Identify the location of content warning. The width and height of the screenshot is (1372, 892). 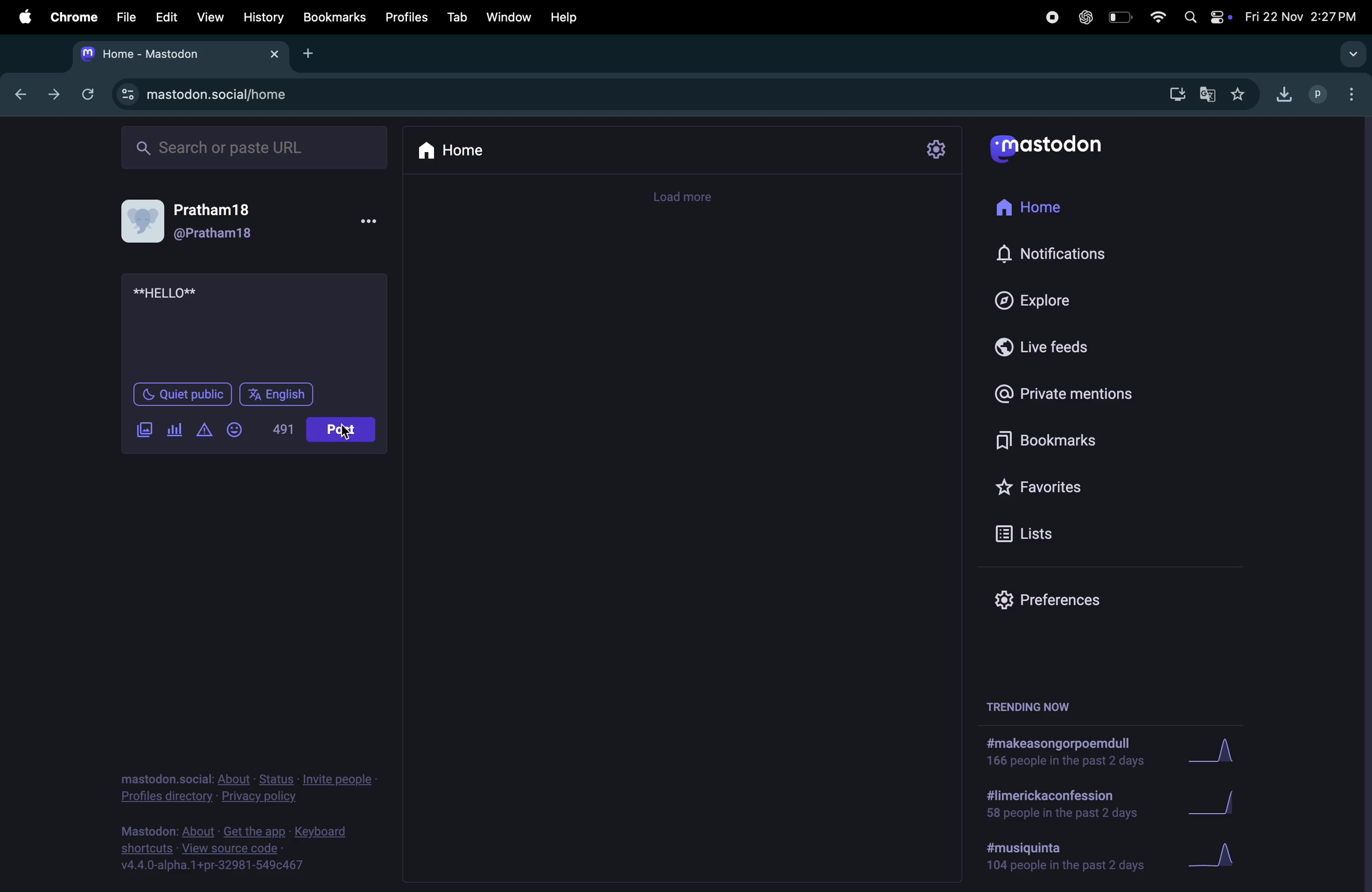
(203, 430).